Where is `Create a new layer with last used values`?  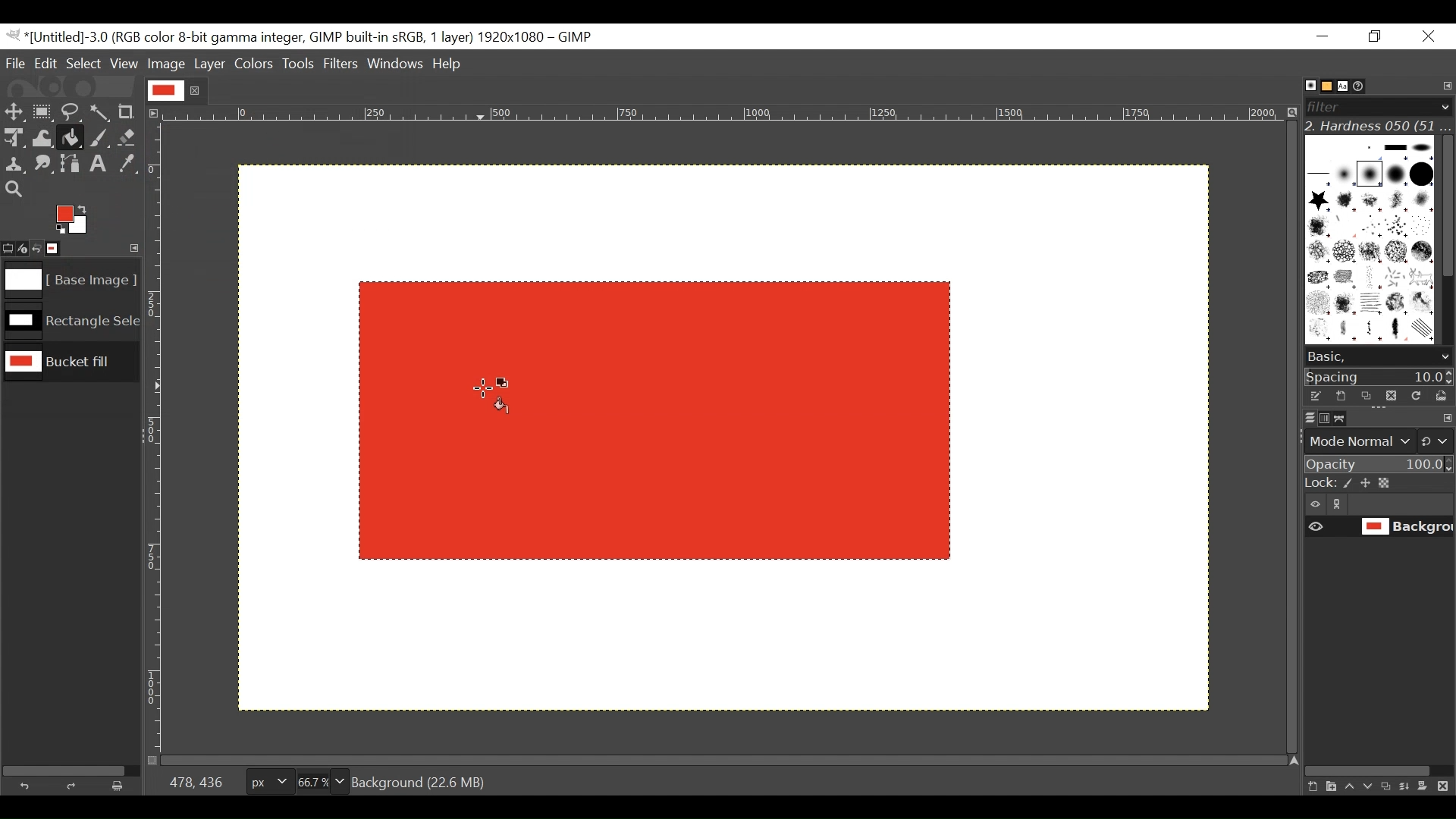
Create a new layer with last used values is located at coordinates (1310, 787).